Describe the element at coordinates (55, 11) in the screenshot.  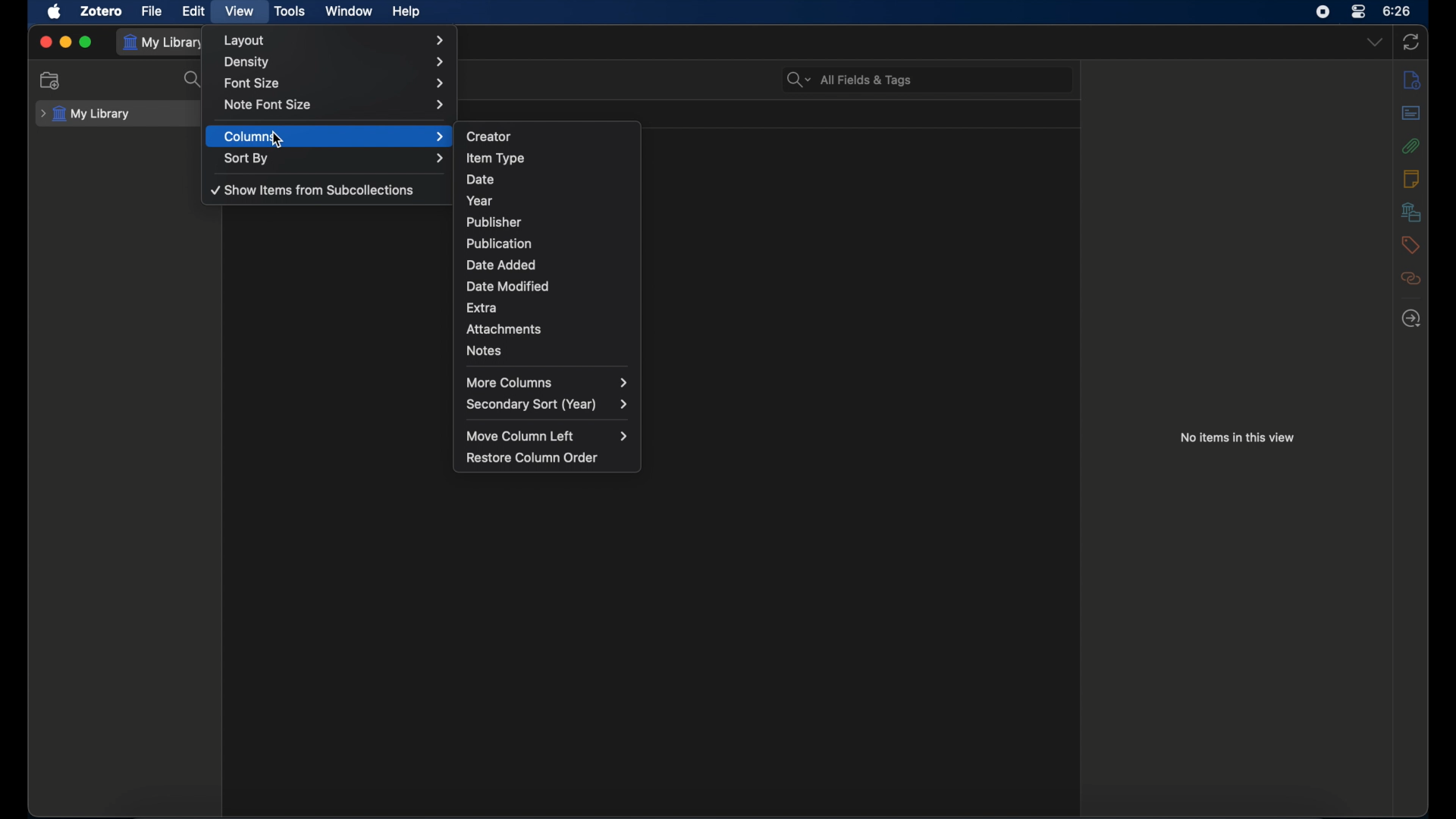
I see `apple icon` at that location.